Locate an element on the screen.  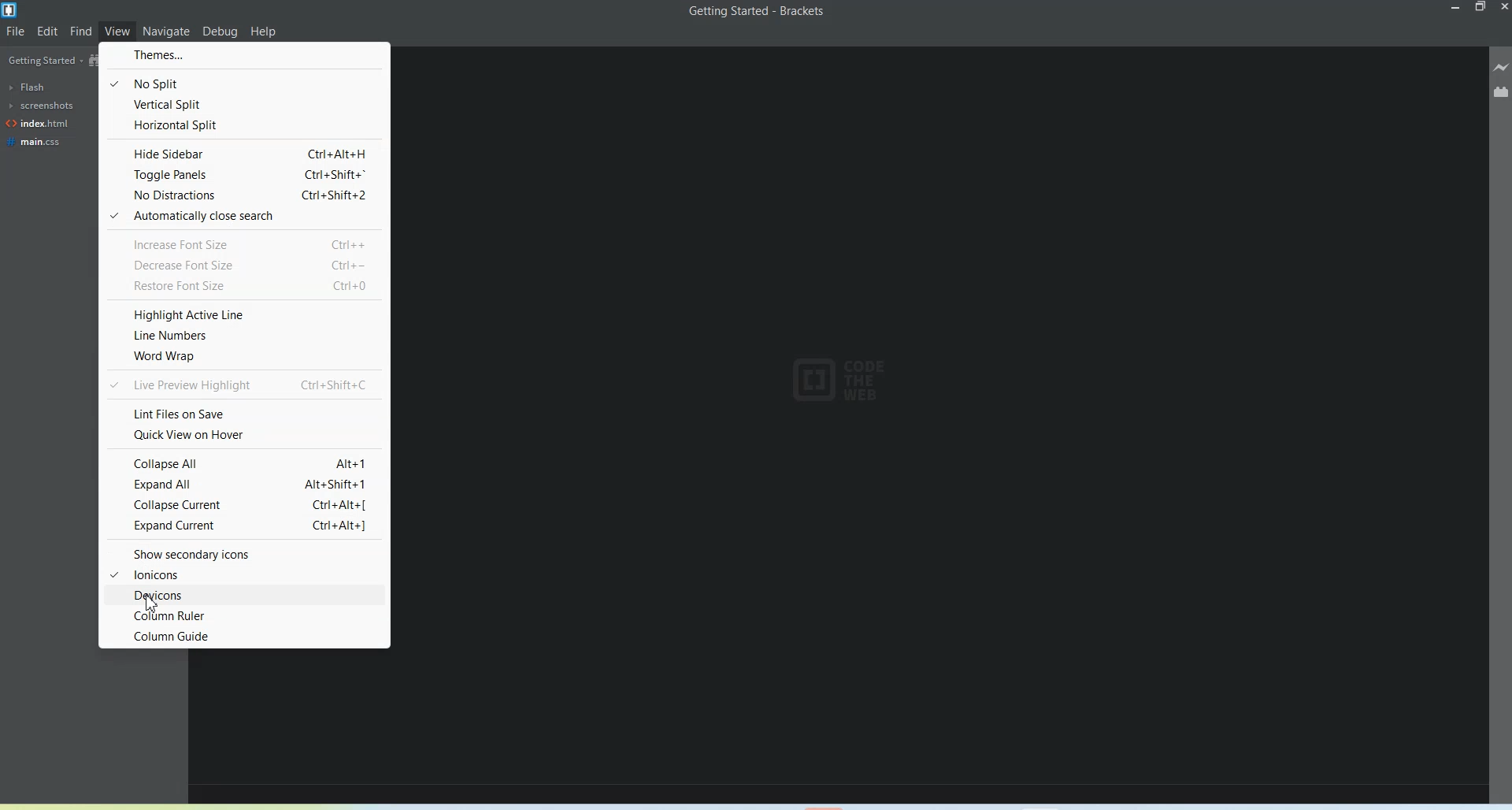
Devicons is located at coordinates (244, 594).